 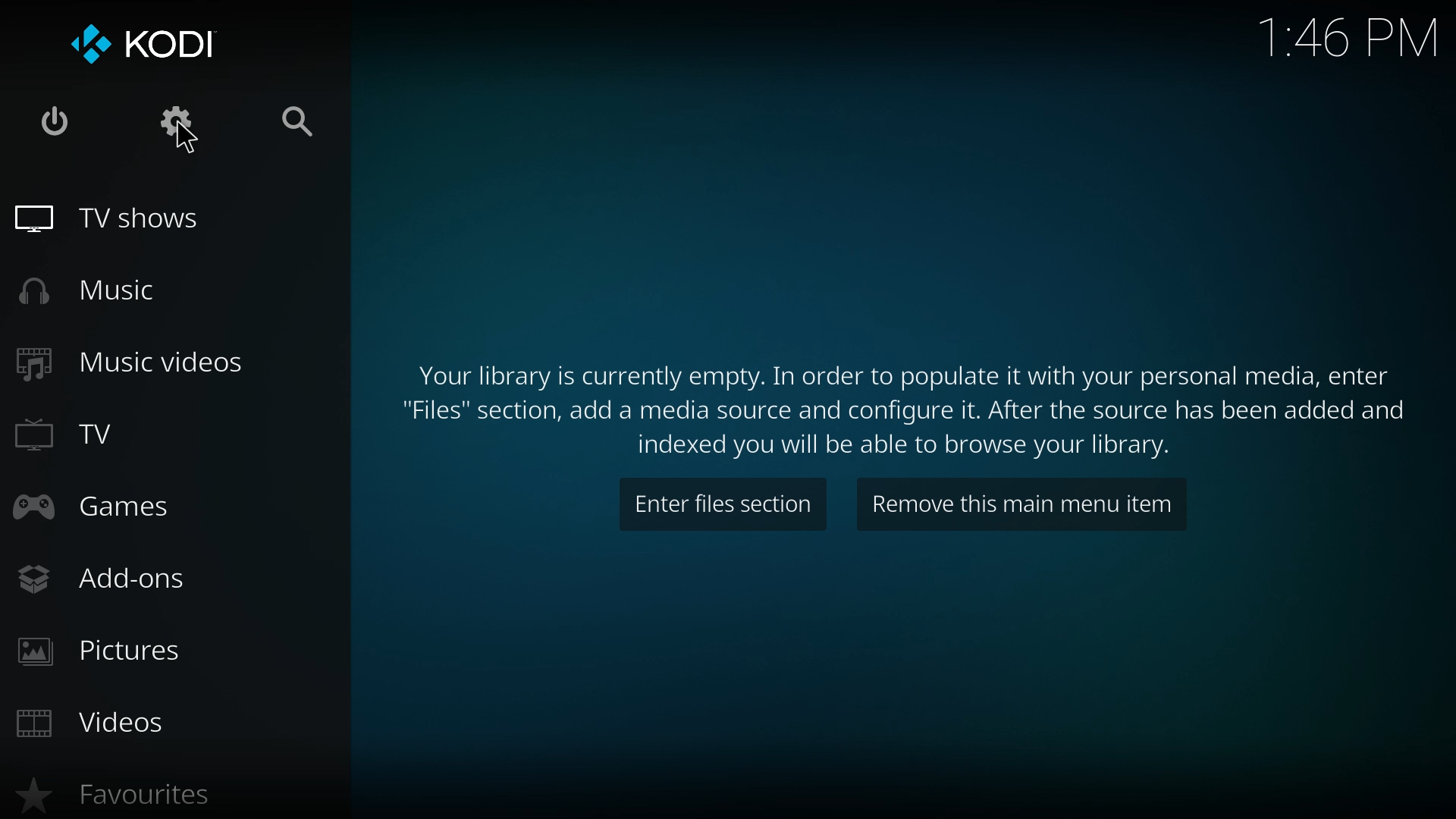 I want to click on enter files section, so click(x=726, y=504).